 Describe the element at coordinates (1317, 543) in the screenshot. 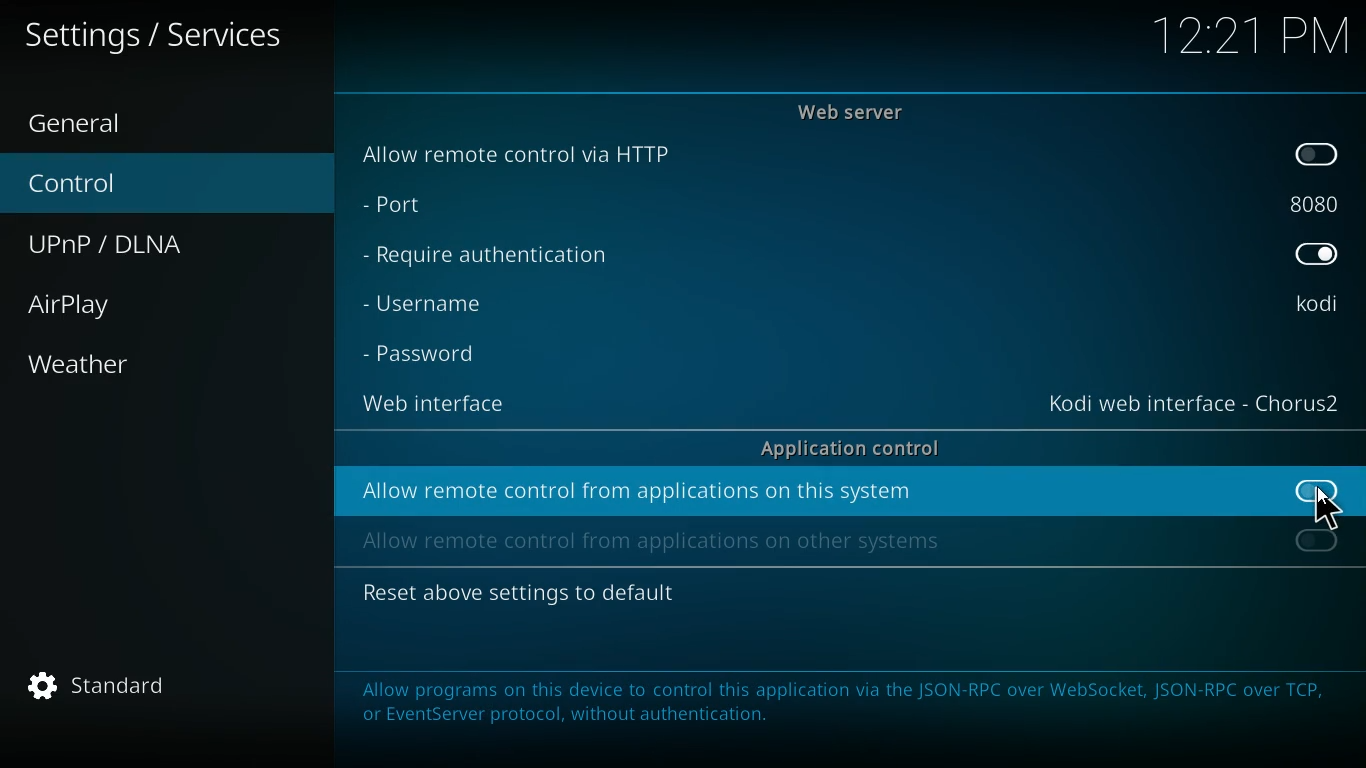

I see `off` at that location.